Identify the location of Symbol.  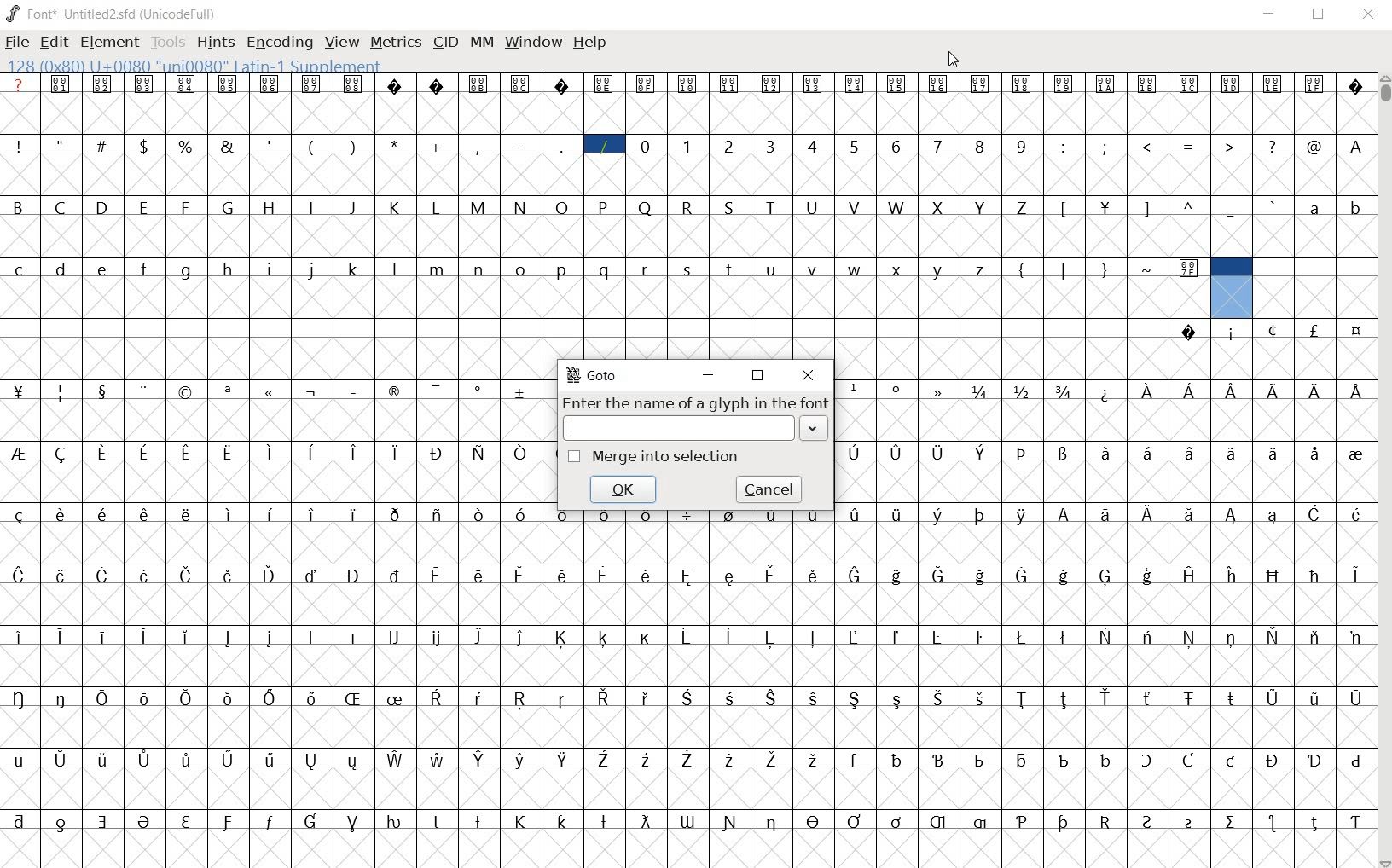
(1150, 698).